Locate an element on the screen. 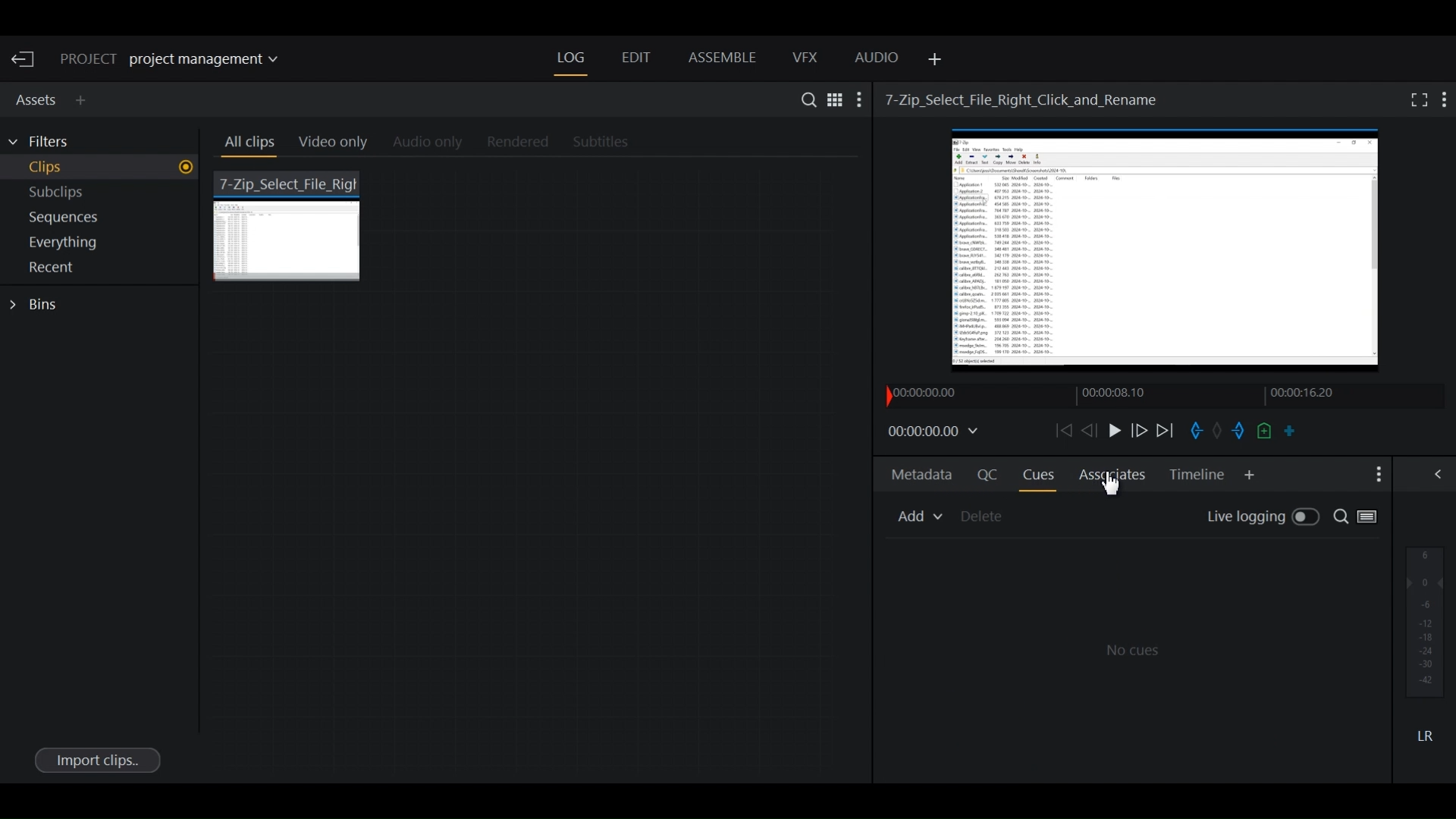 The width and height of the screenshot is (1456, 819). Fullscreen is located at coordinates (1416, 99).